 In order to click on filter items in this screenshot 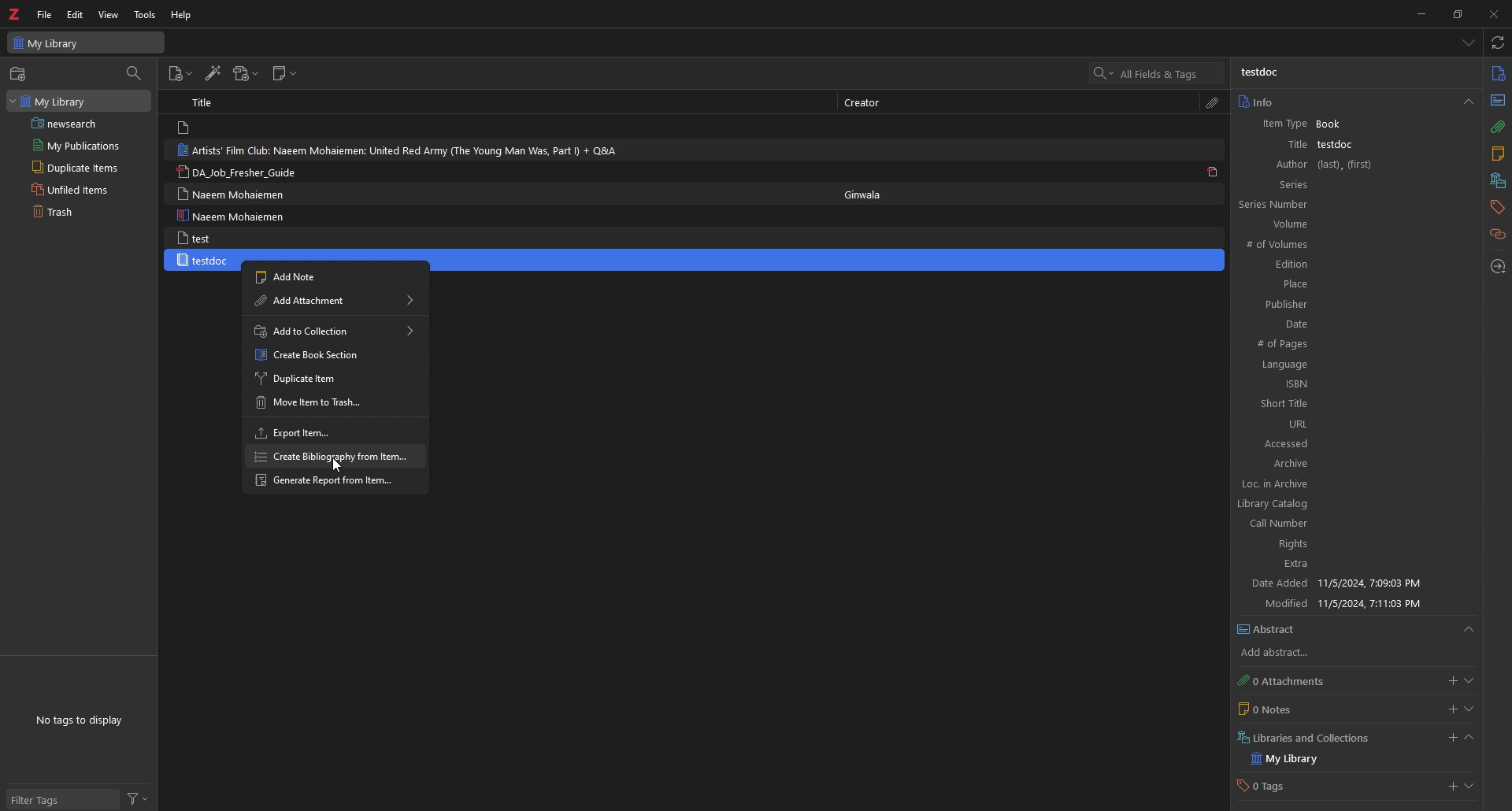, I will do `click(135, 72)`.